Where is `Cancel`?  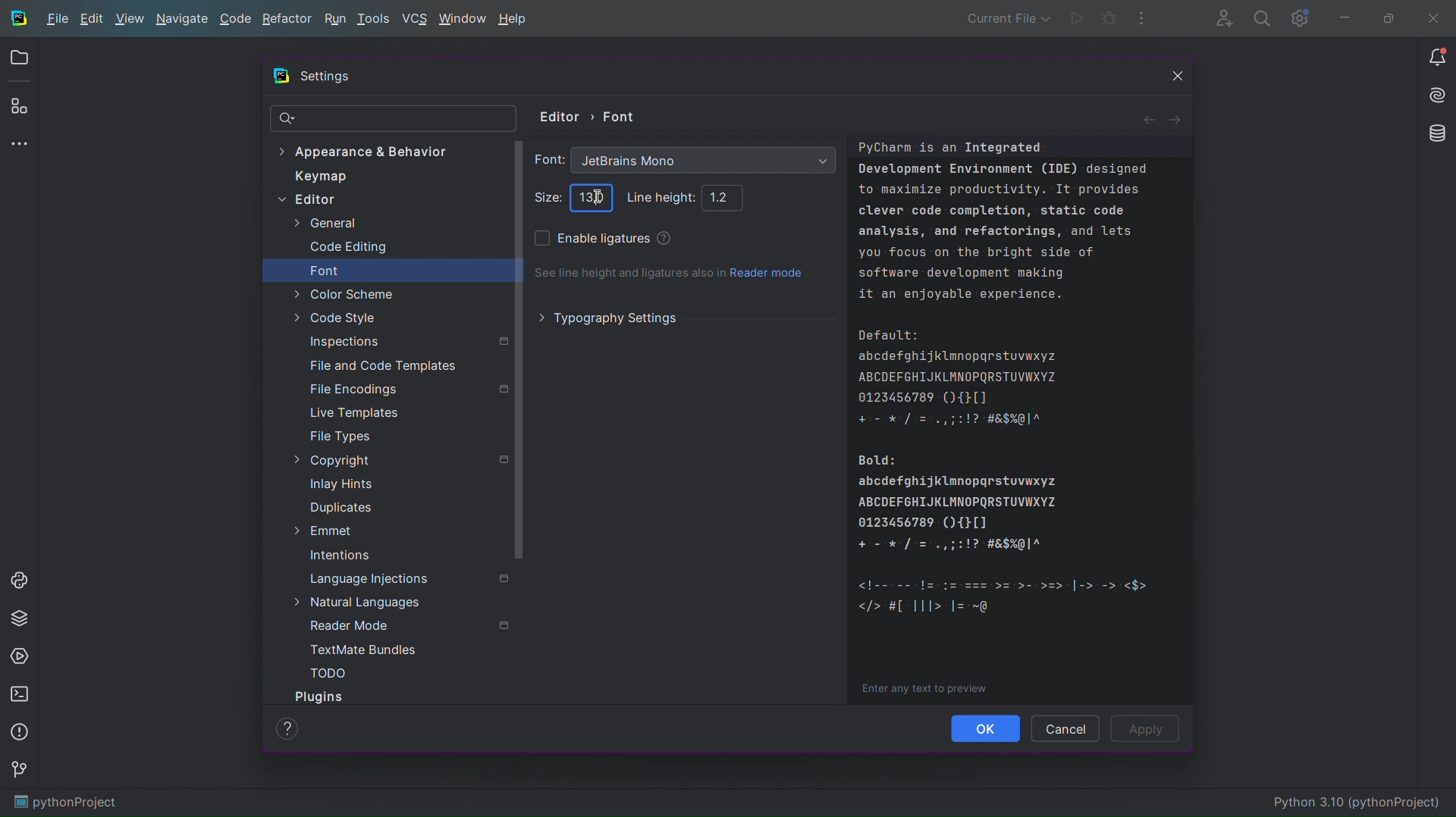 Cancel is located at coordinates (1065, 728).